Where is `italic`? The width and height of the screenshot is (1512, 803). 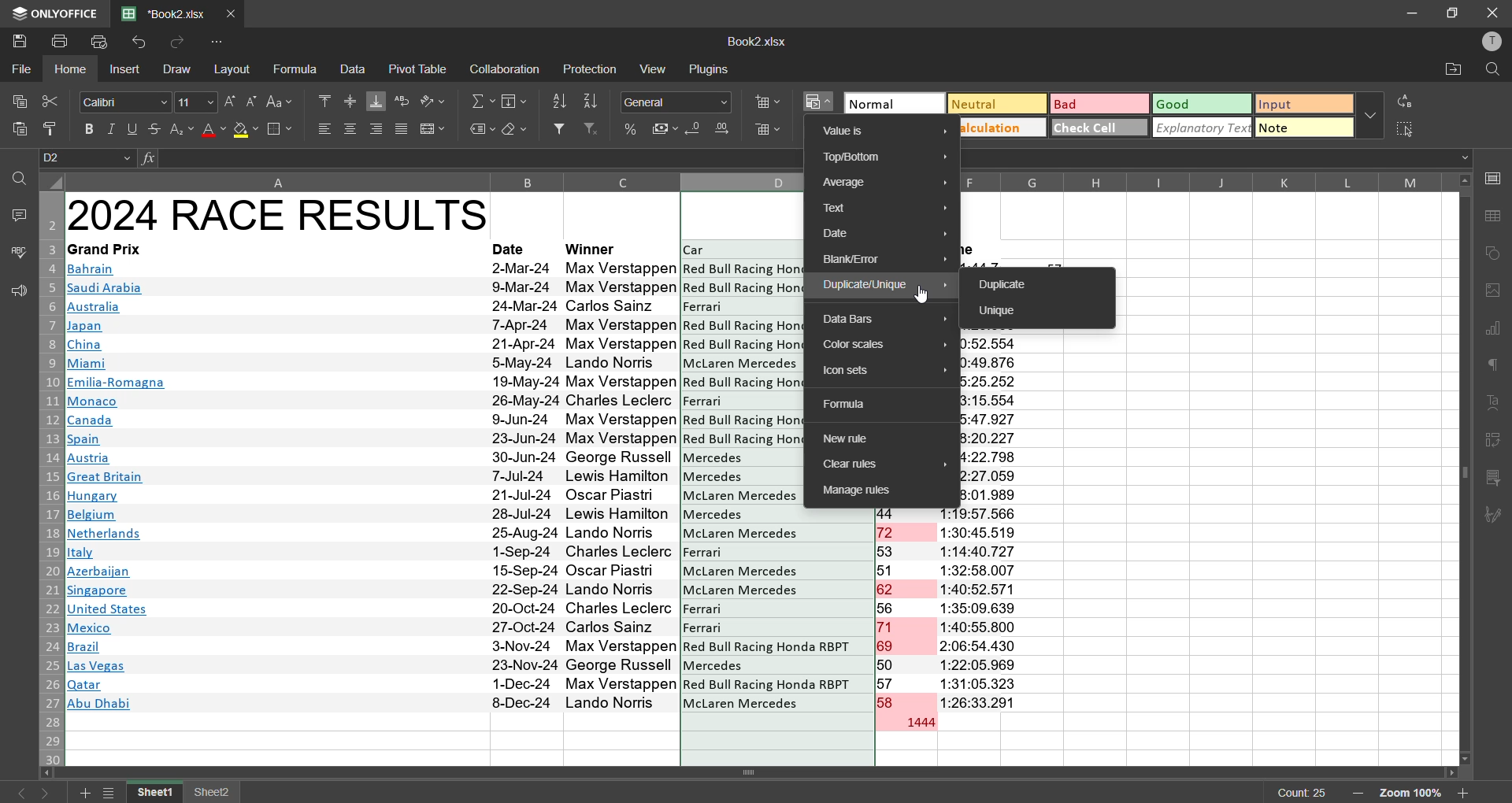
italic is located at coordinates (113, 129).